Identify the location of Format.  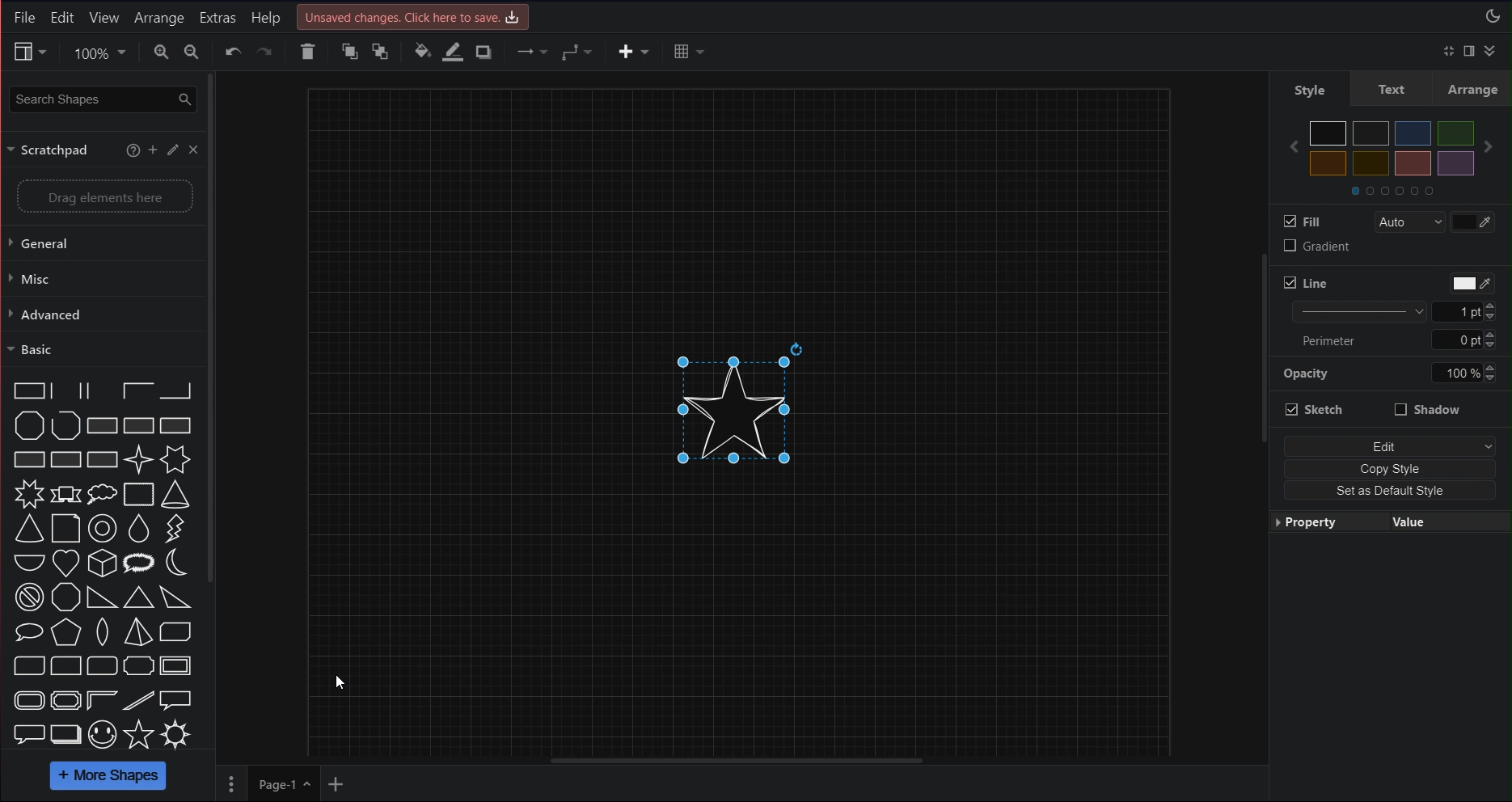
(1469, 51).